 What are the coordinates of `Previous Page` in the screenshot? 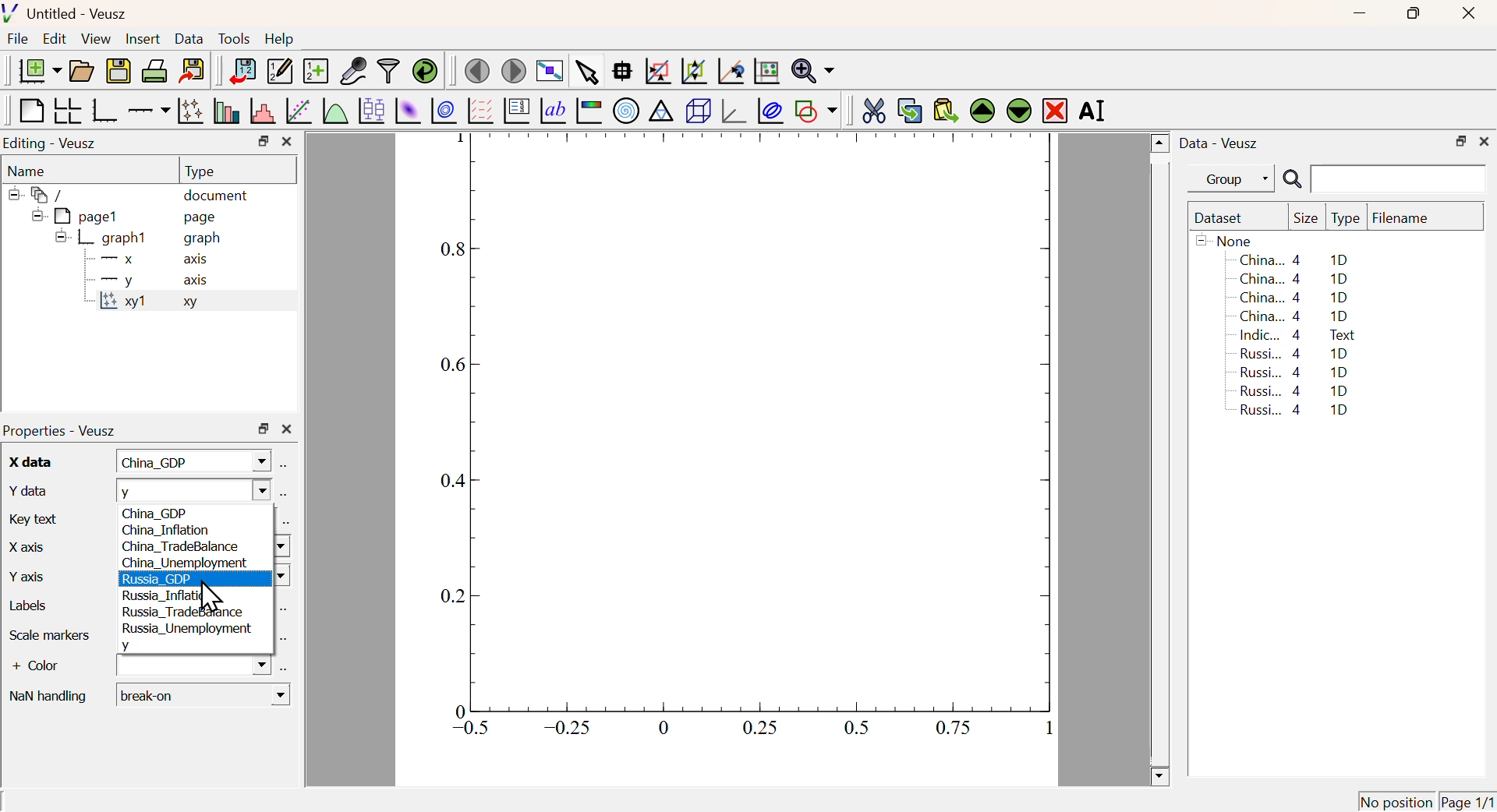 It's located at (478, 72).